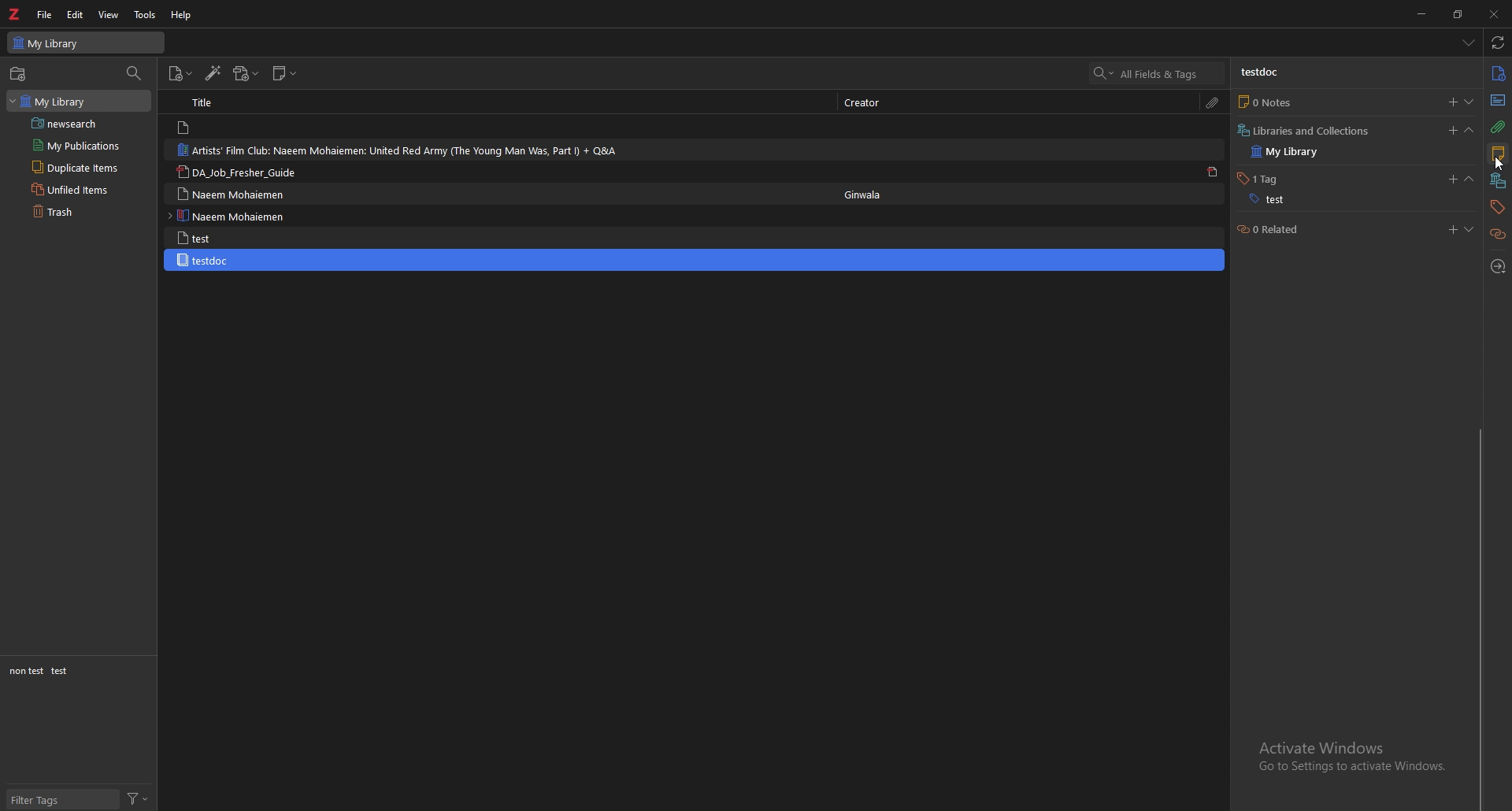 The width and height of the screenshot is (1512, 811). What do you see at coordinates (1280, 228) in the screenshot?
I see `0 related` at bounding box center [1280, 228].